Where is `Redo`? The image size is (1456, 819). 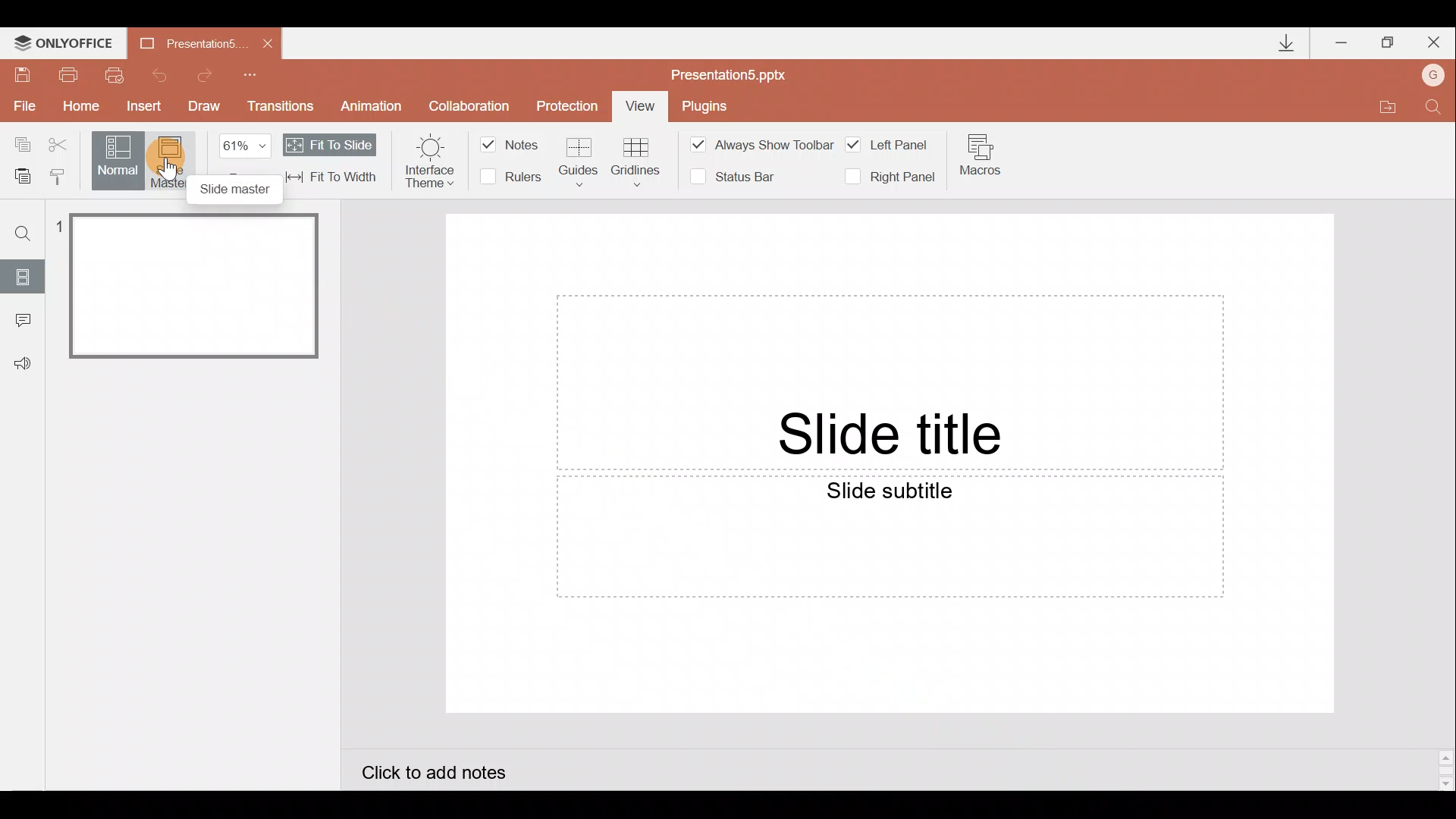 Redo is located at coordinates (211, 75).